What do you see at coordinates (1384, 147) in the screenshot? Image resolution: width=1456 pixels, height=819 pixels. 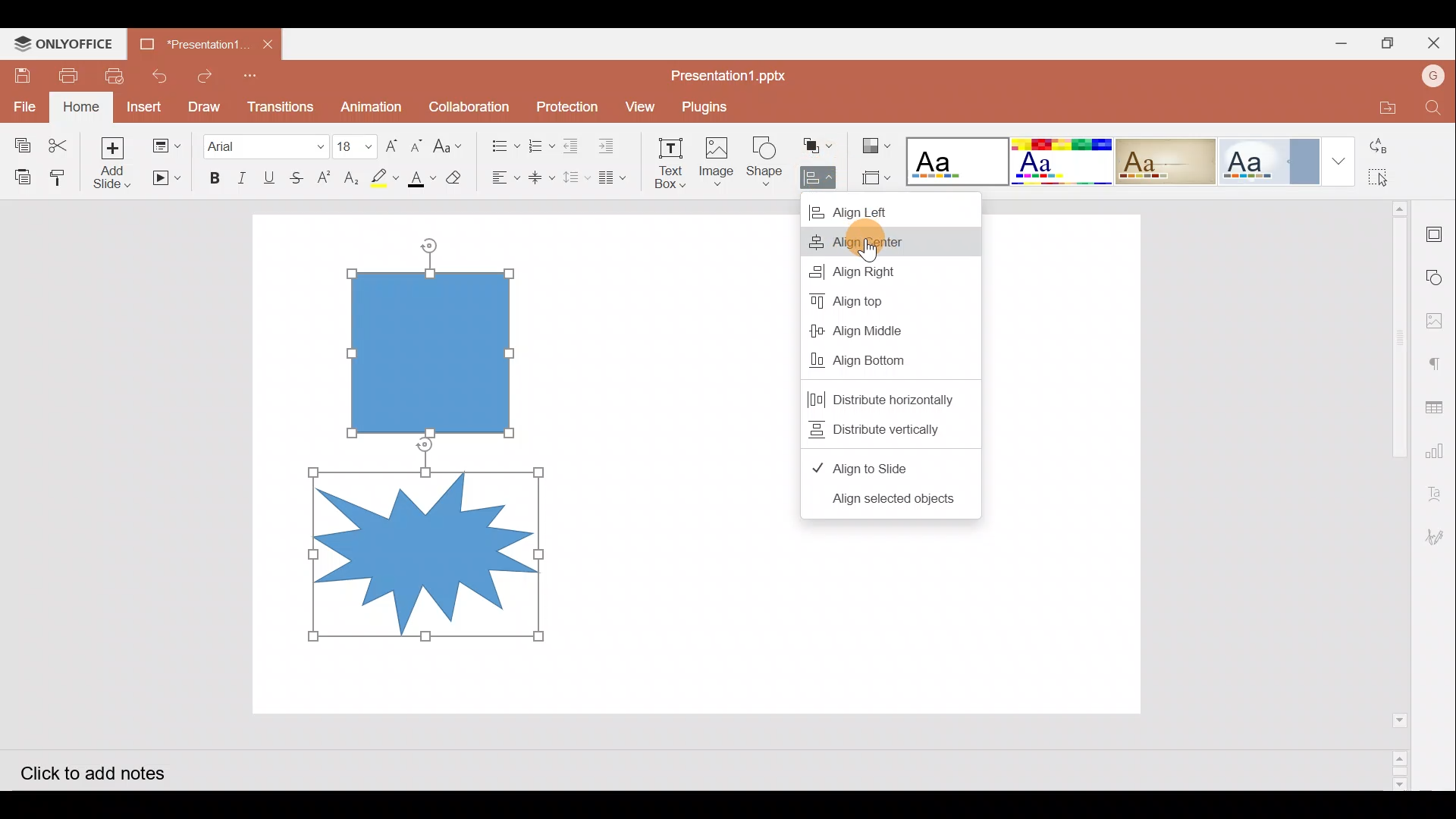 I see `Replace` at bounding box center [1384, 147].